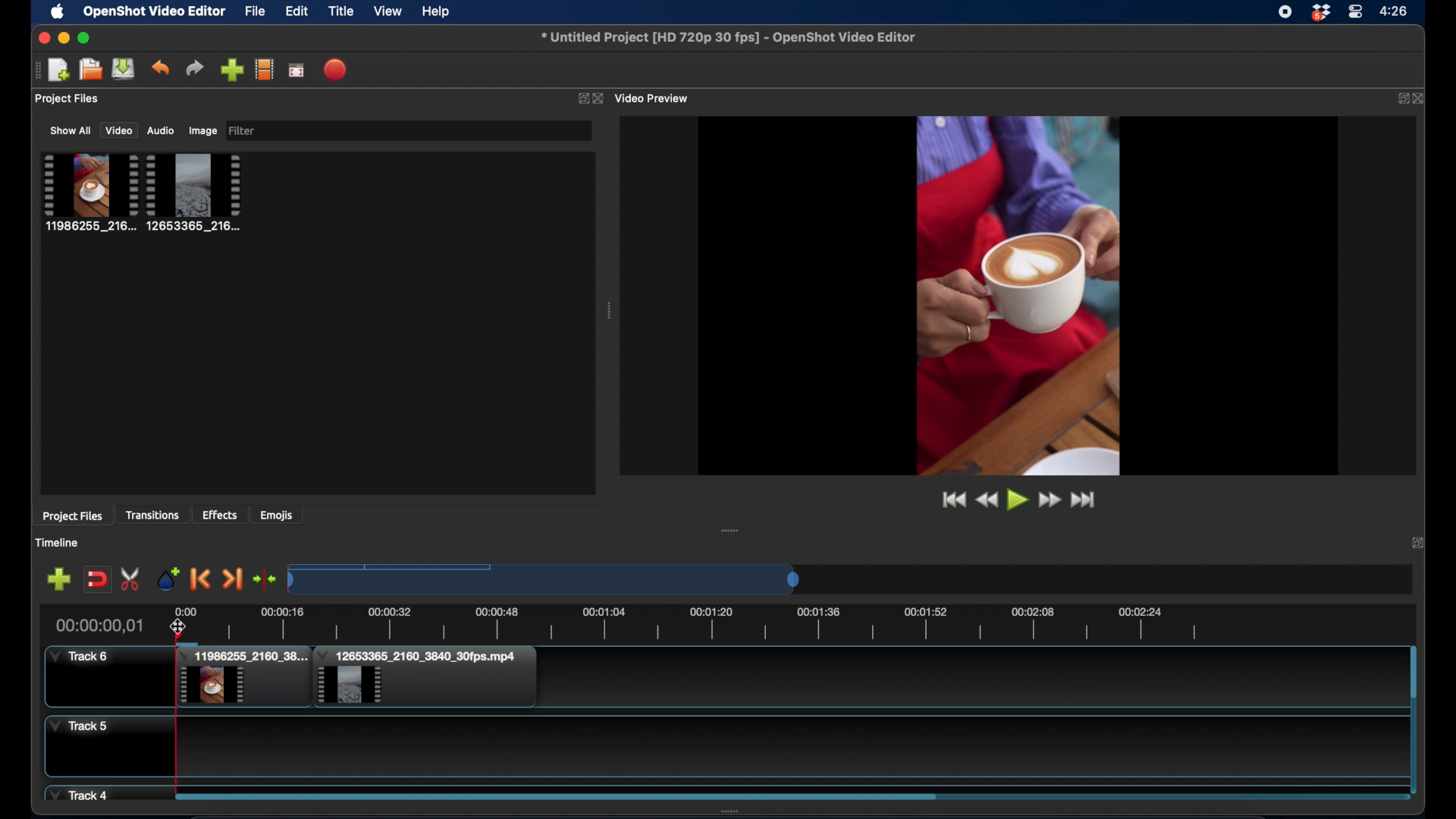  Describe the element at coordinates (232, 579) in the screenshot. I see `next marker` at that location.